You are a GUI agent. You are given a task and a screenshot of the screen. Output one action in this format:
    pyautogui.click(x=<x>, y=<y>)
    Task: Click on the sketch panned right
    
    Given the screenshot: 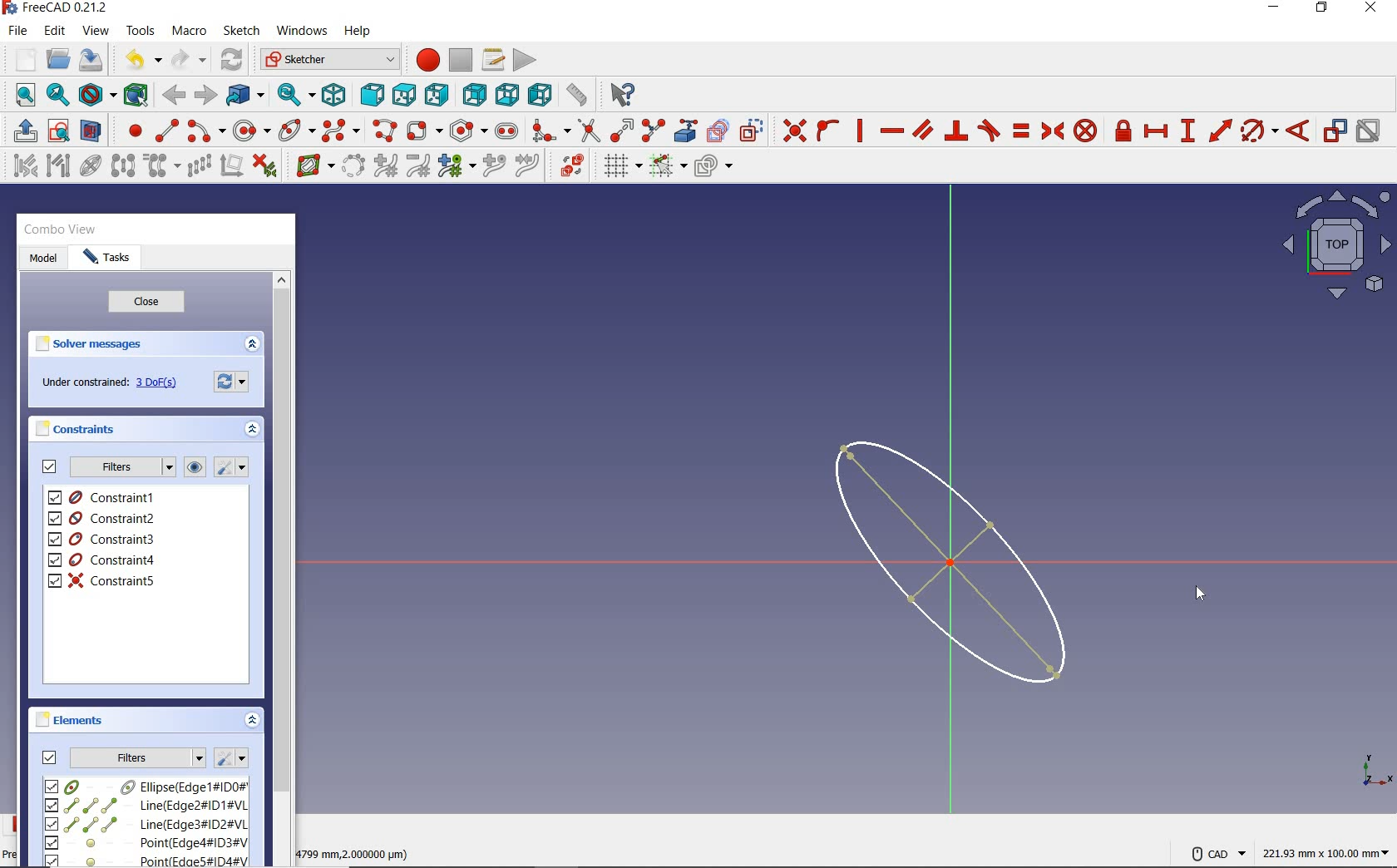 What is the action you would take?
    pyautogui.click(x=960, y=562)
    